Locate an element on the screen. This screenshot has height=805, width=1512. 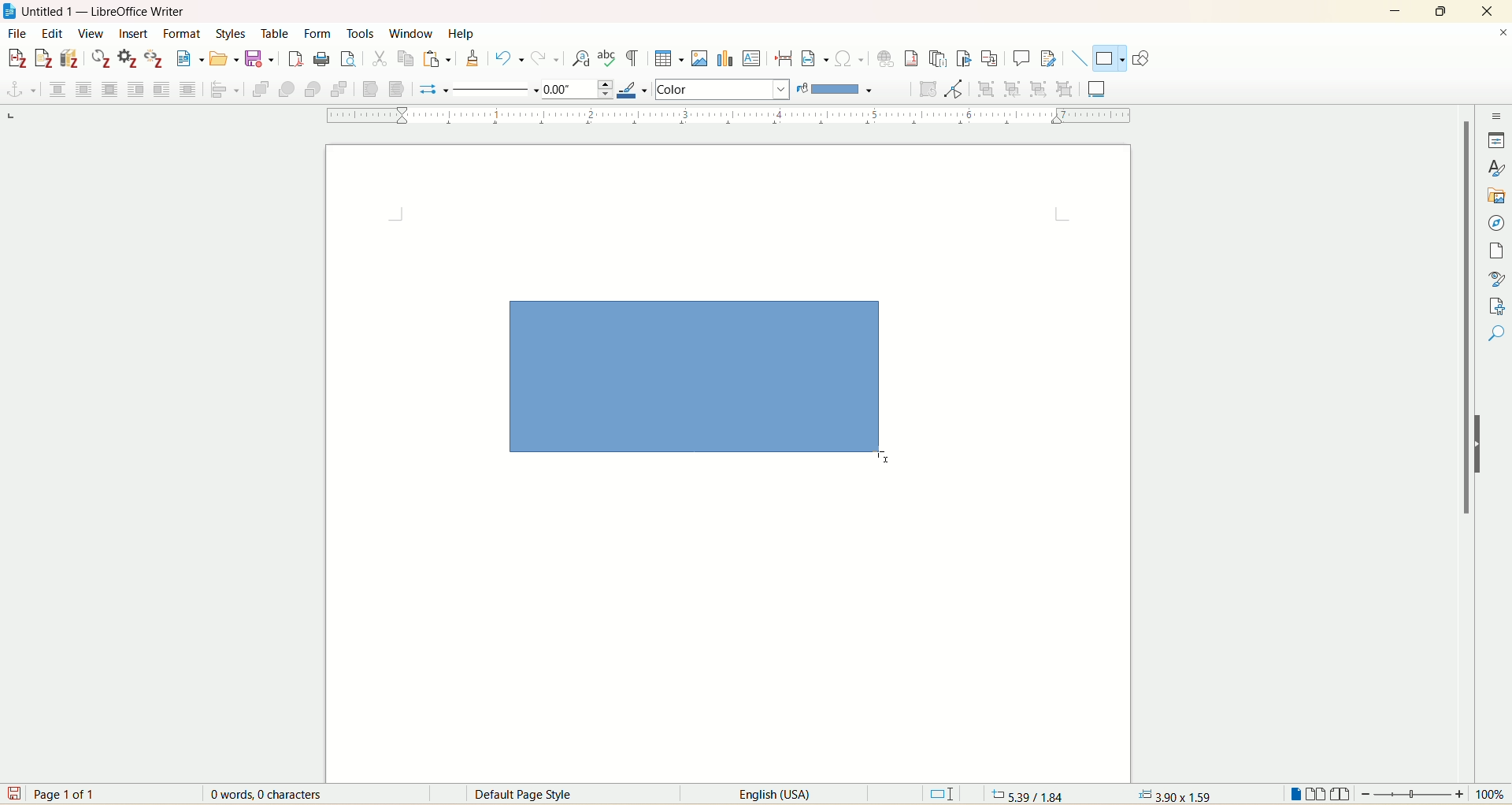
none is located at coordinates (57, 89).